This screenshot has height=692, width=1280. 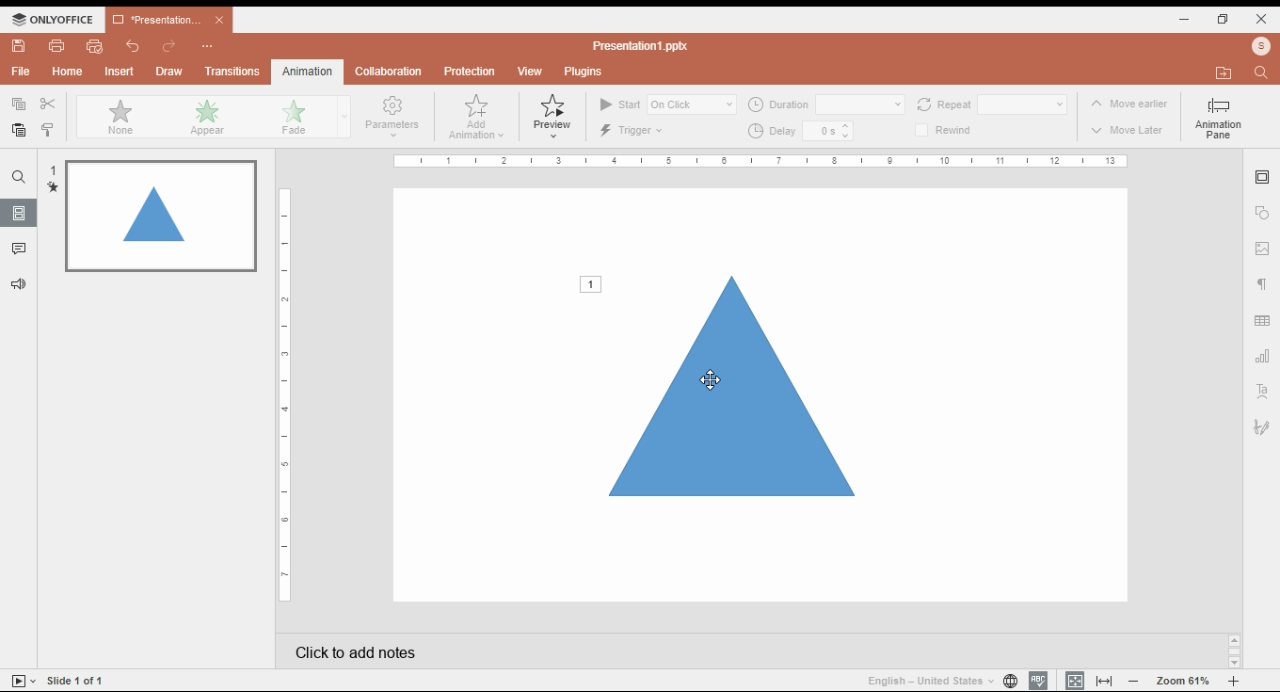 What do you see at coordinates (49, 104) in the screenshot?
I see `cut` at bounding box center [49, 104].